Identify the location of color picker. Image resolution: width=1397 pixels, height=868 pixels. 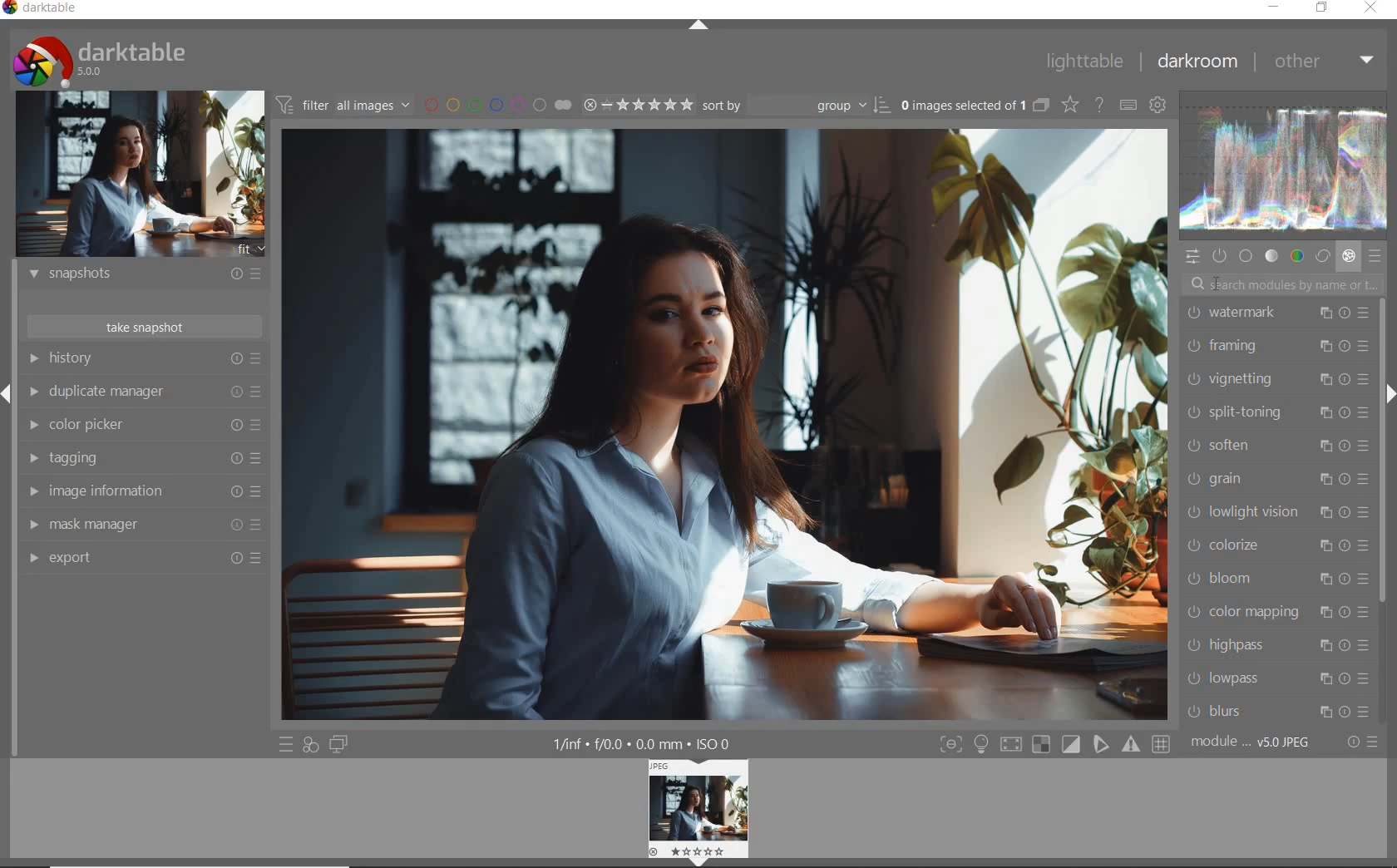
(146, 425).